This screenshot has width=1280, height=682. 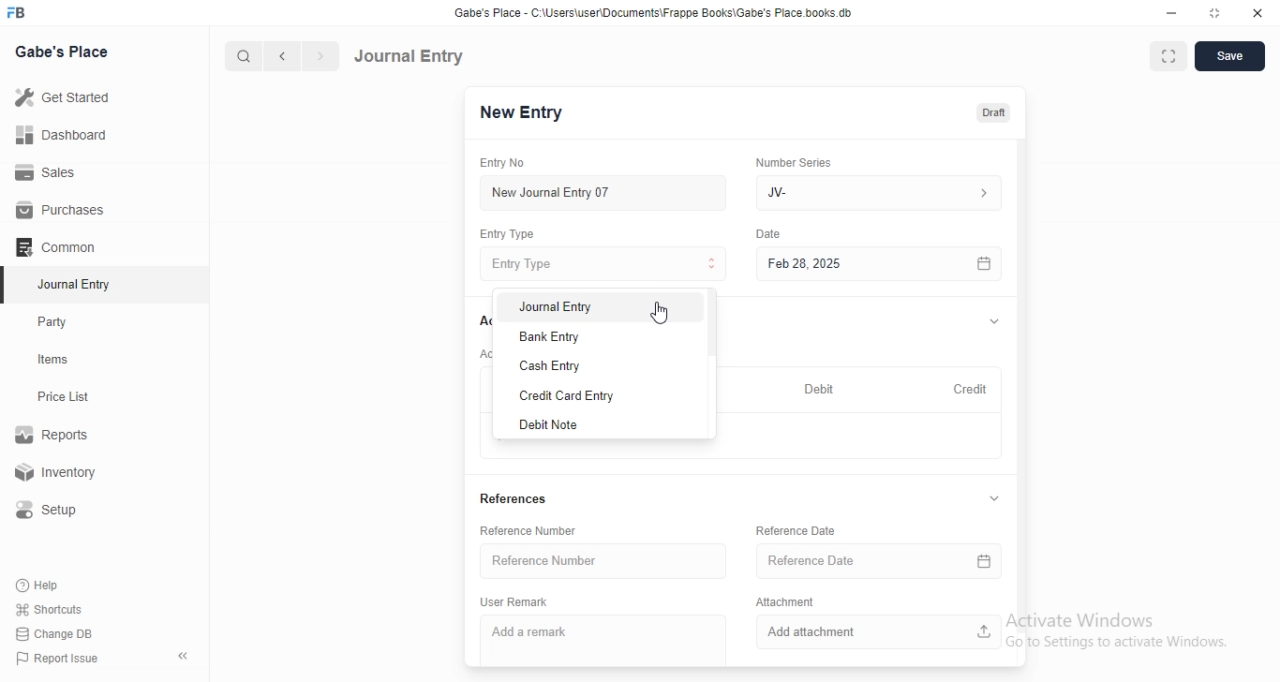 I want to click on Attachment, so click(x=782, y=602).